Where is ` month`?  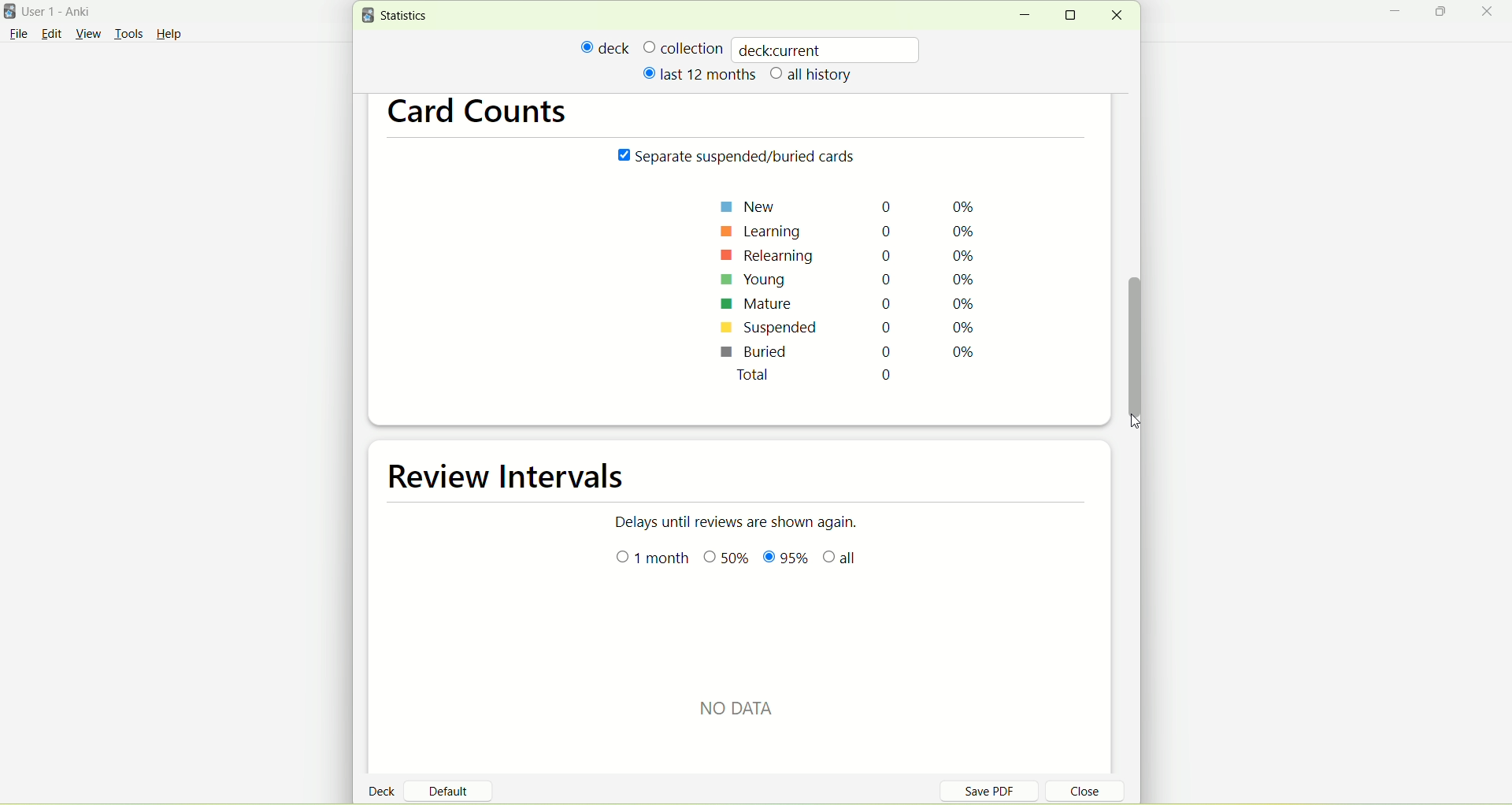  month is located at coordinates (654, 558).